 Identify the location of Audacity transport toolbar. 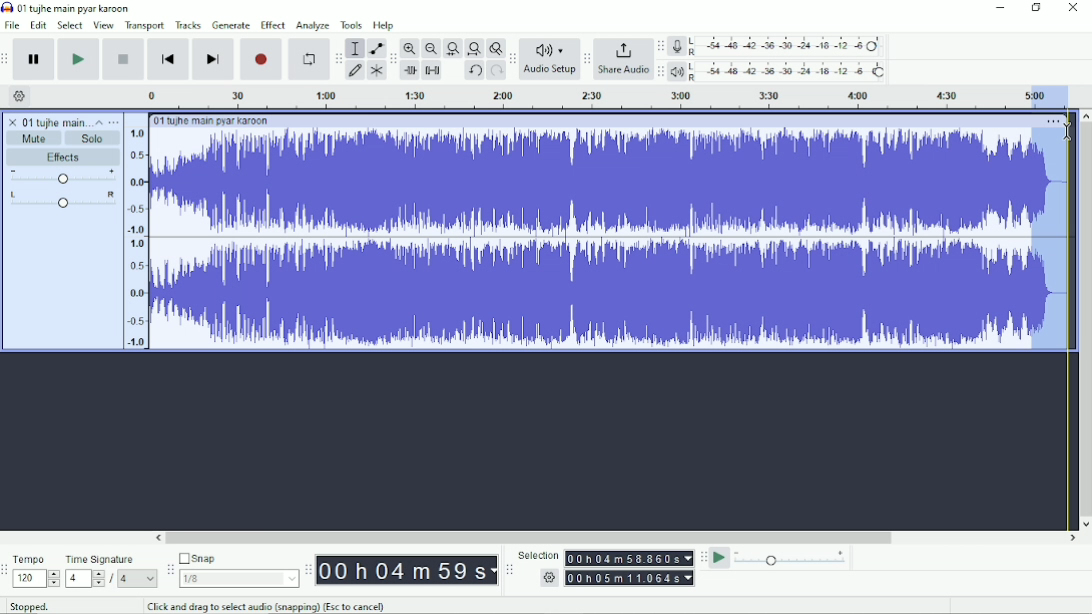
(7, 59).